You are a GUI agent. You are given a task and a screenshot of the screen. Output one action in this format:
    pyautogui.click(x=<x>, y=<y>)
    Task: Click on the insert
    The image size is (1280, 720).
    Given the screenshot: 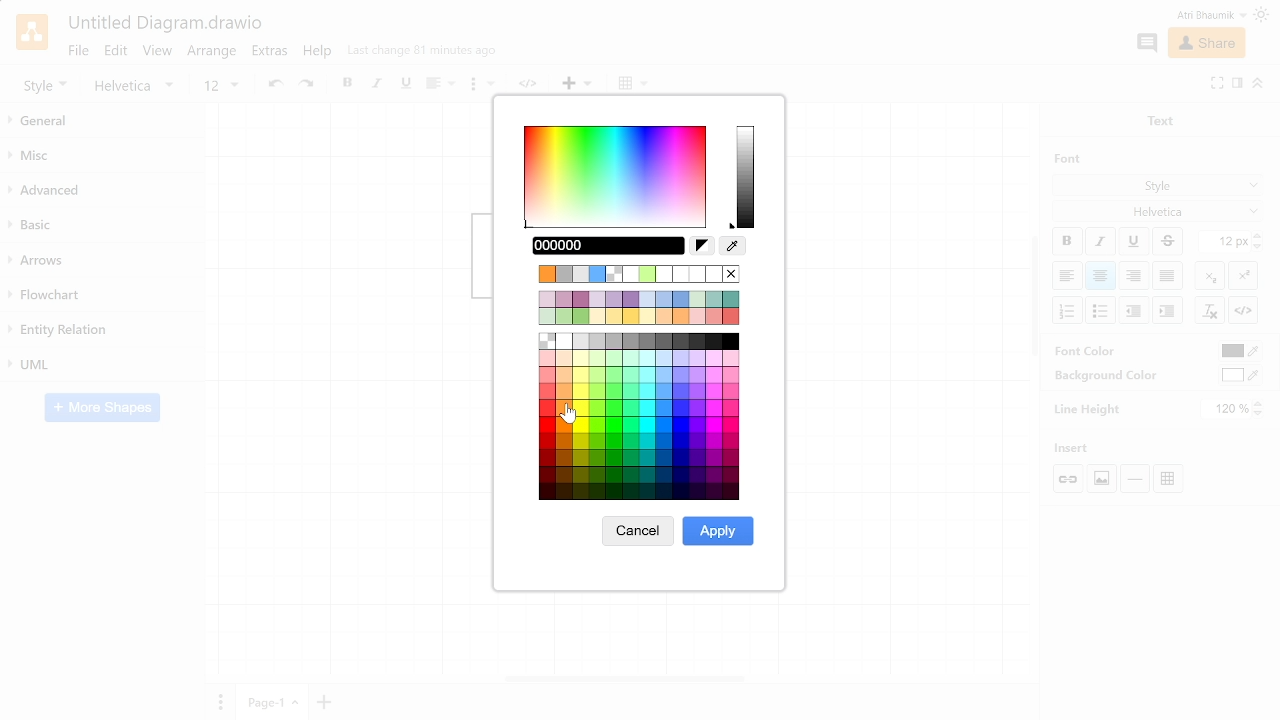 What is the action you would take?
    pyautogui.click(x=1078, y=448)
    